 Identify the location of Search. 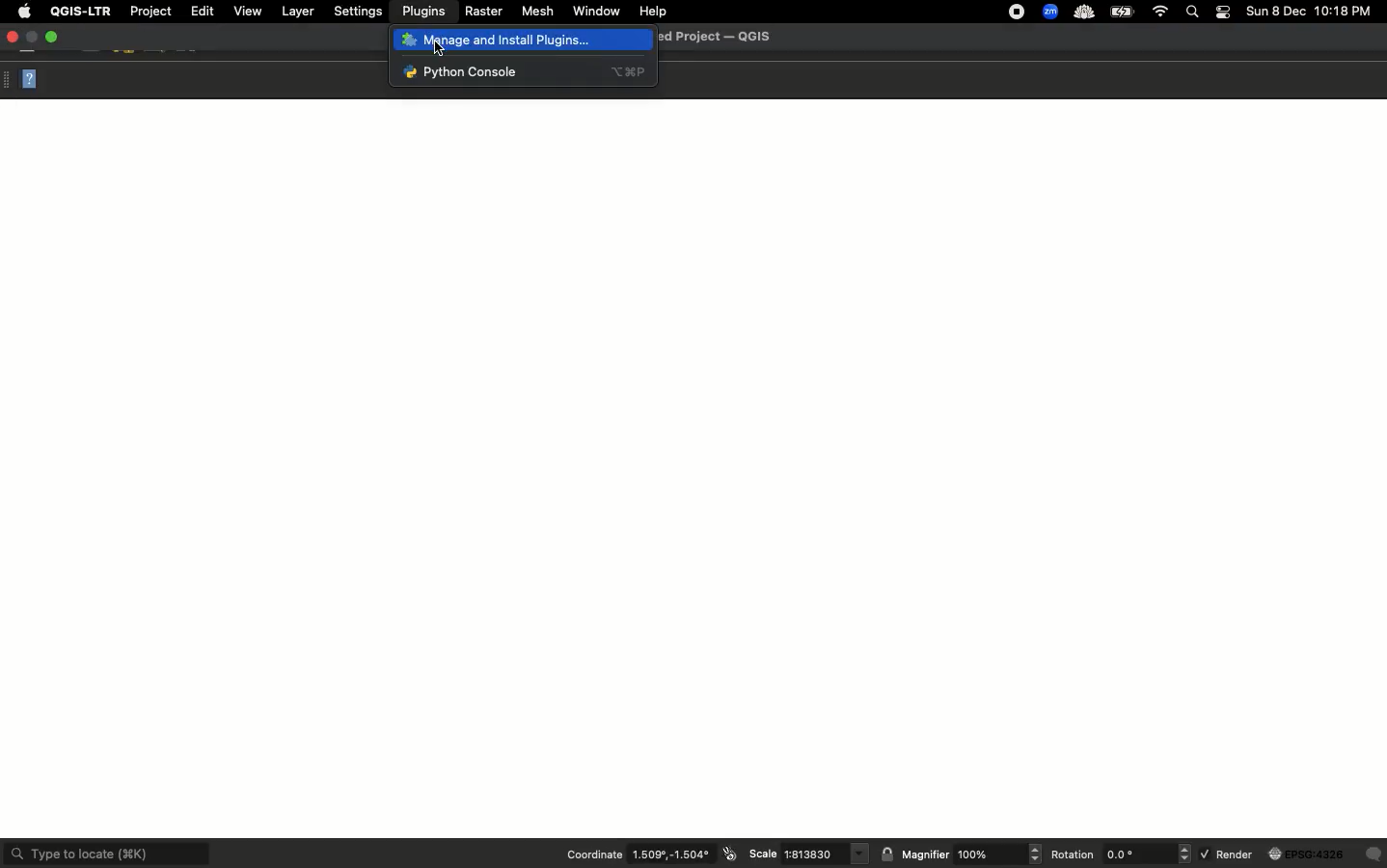
(1194, 12).